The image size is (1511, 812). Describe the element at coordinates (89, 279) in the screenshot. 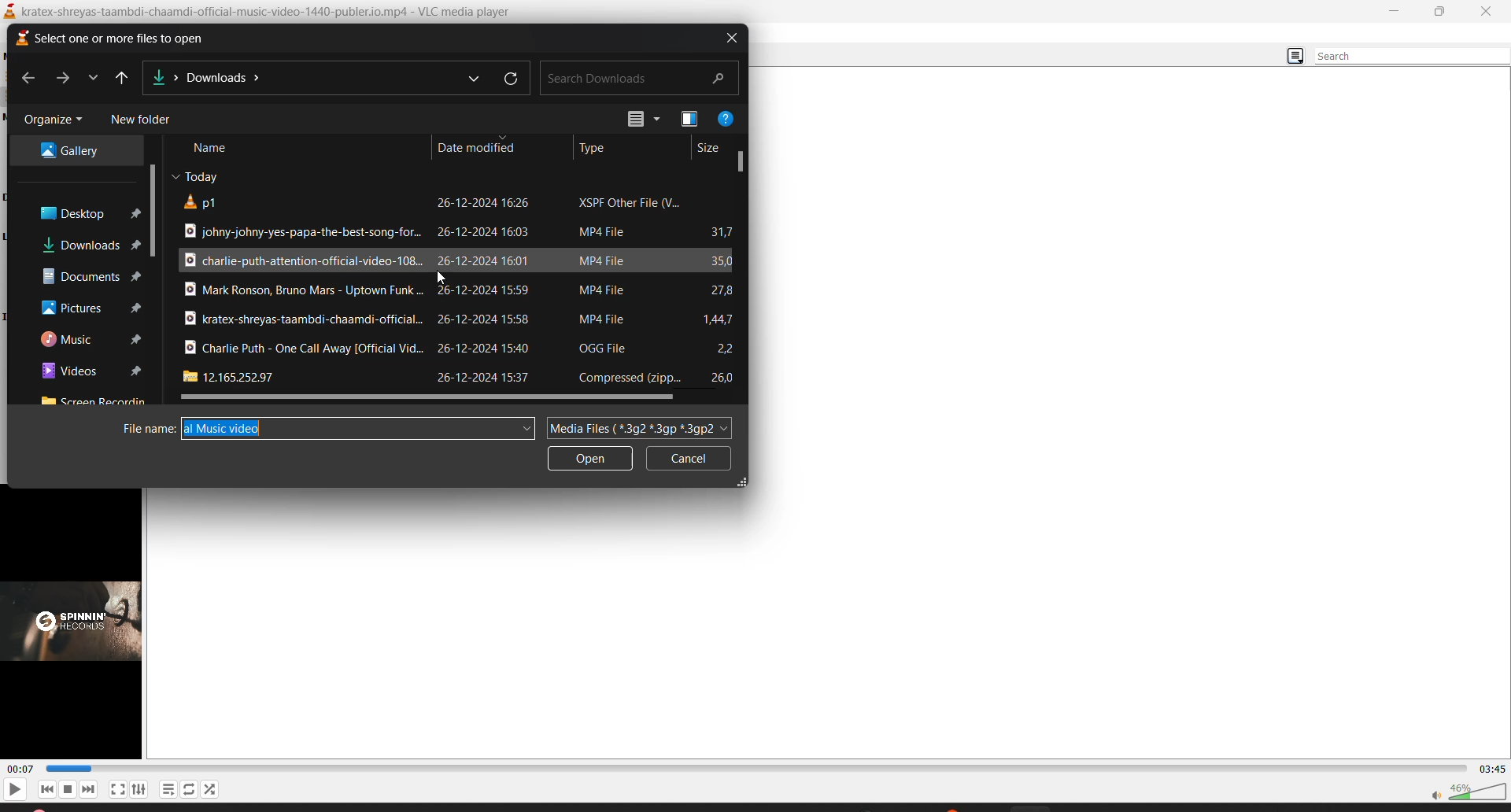

I see `documents` at that location.